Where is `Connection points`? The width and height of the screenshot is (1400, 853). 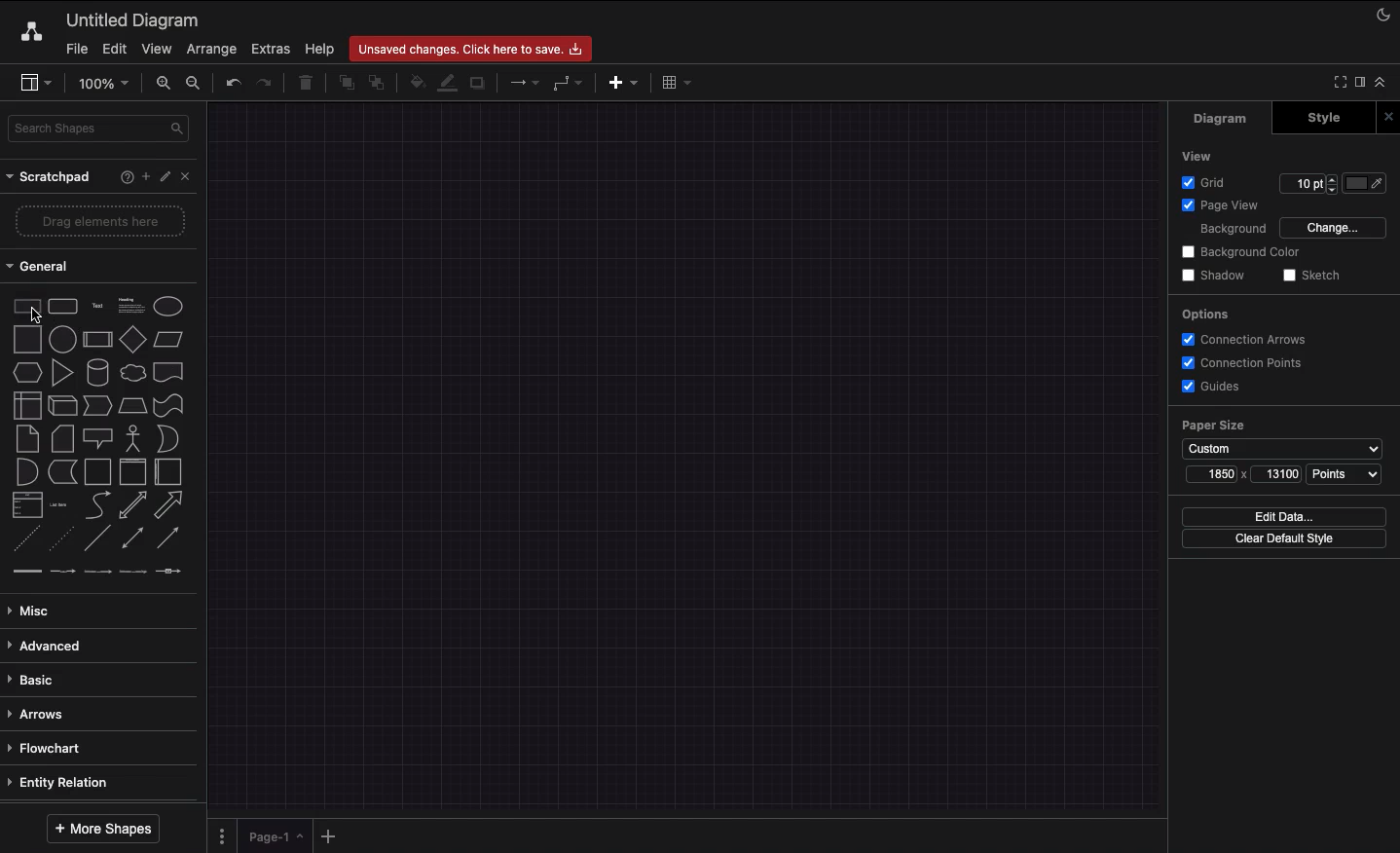 Connection points is located at coordinates (1237, 364).